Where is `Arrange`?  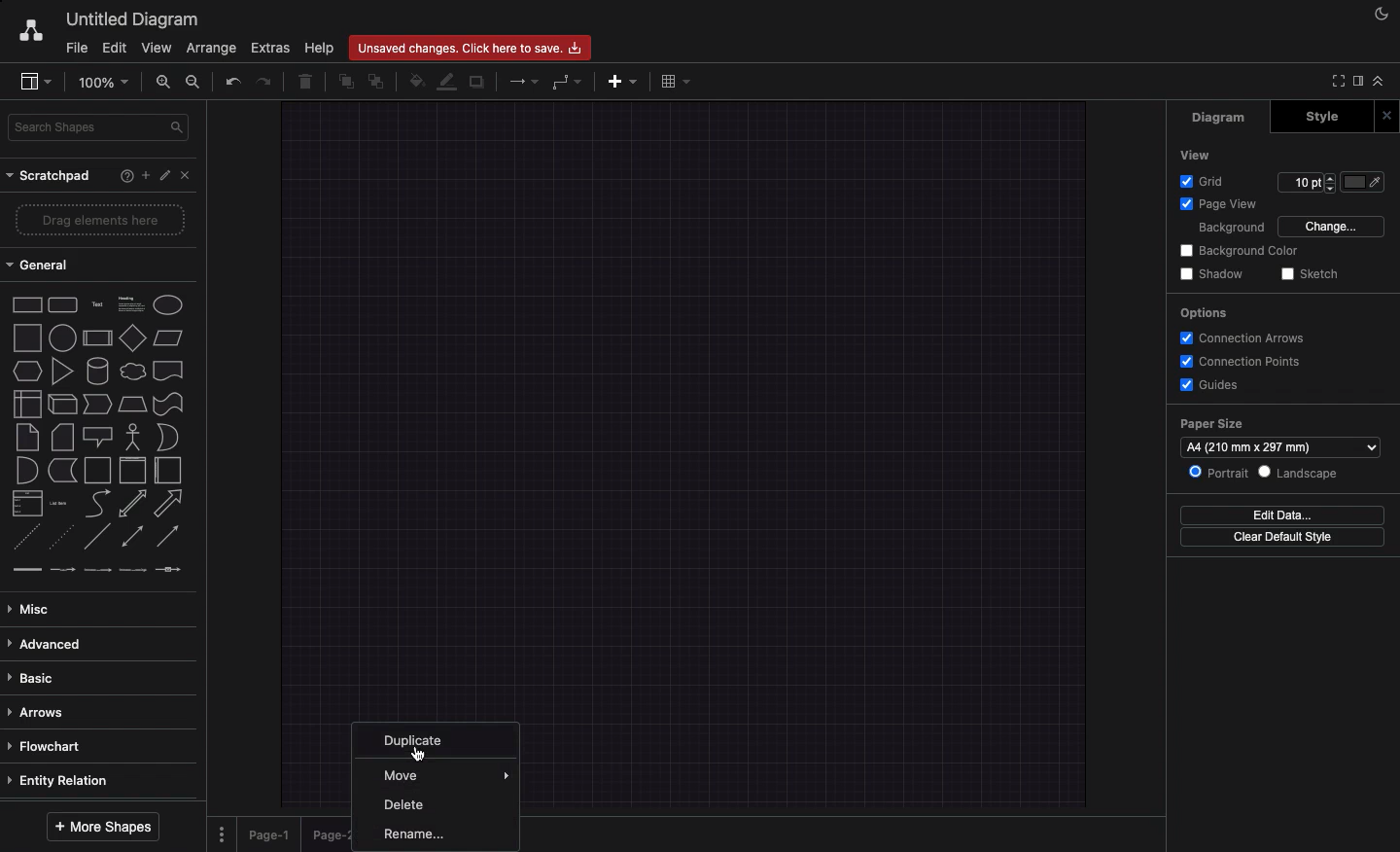
Arrange is located at coordinates (213, 47).